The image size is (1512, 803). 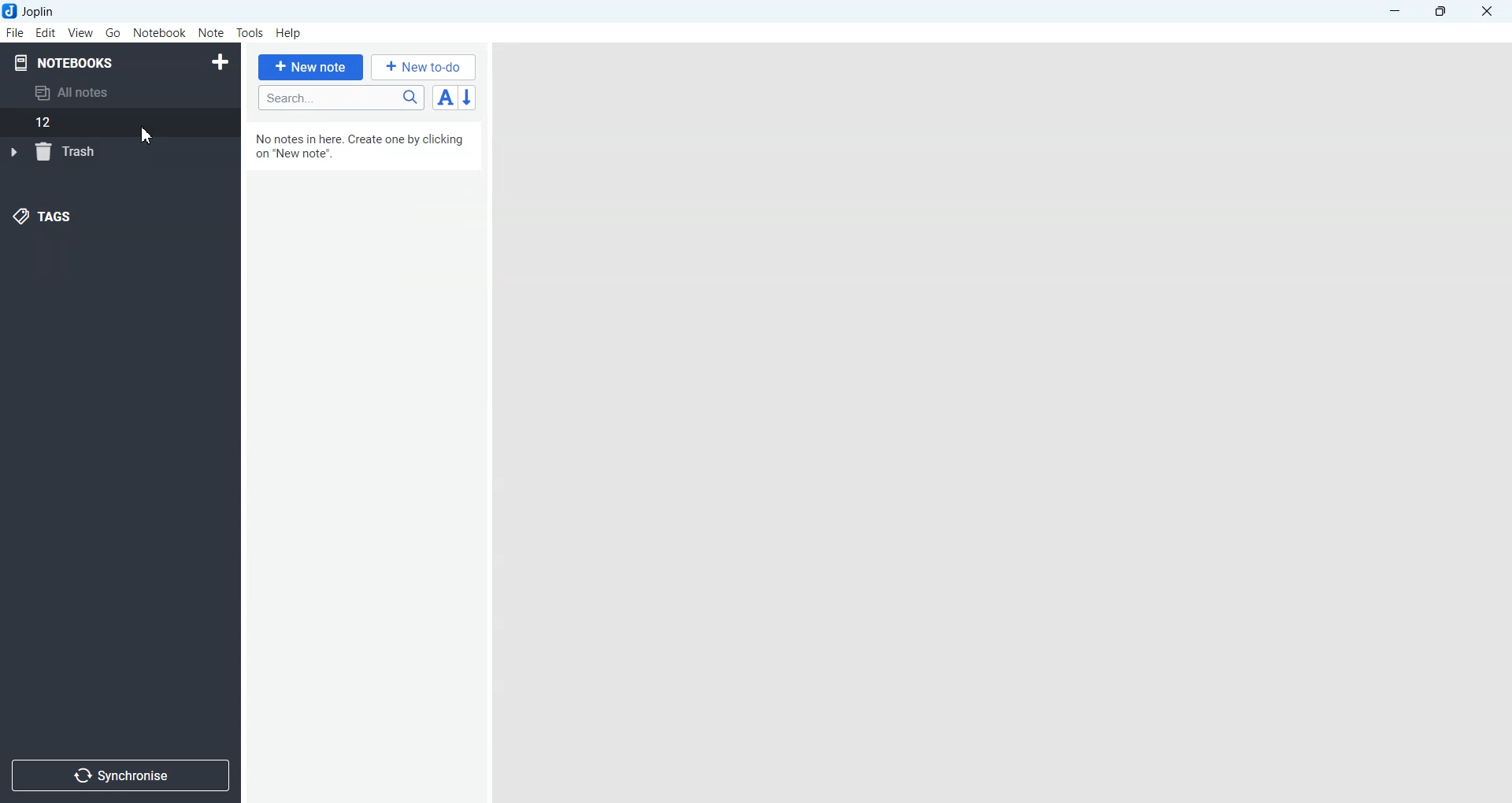 I want to click on No notes in here. Create one by clicking on "New note", so click(x=362, y=150).